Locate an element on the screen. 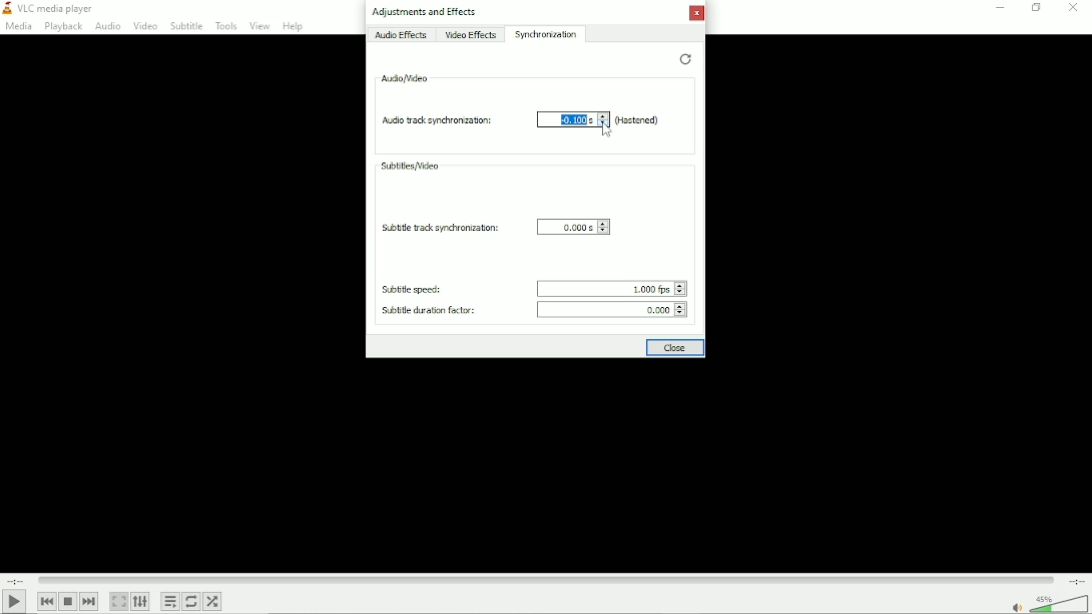  Tools is located at coordinates (225, 25).